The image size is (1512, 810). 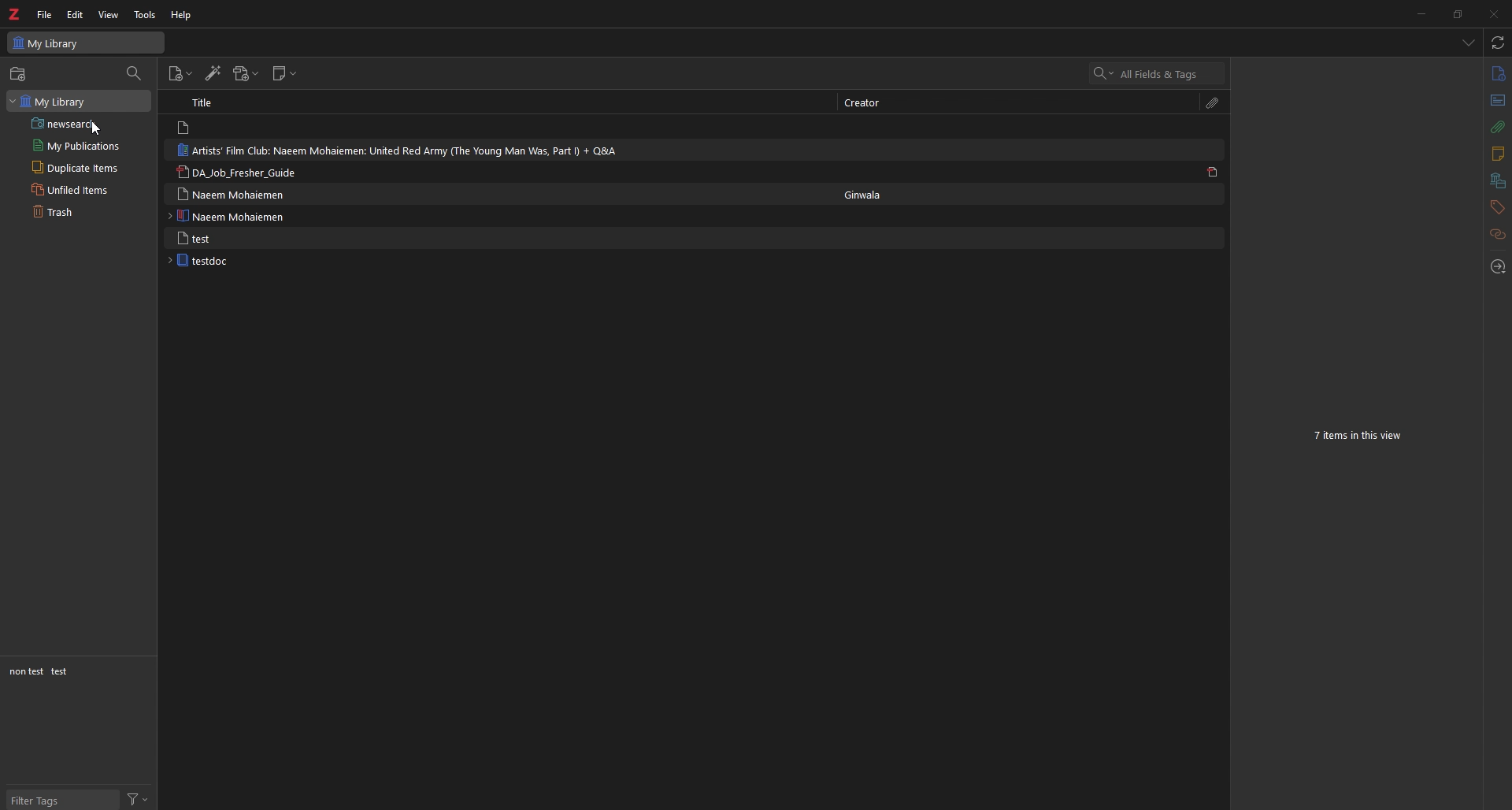 I want to click on mouse cursor, so click(x=98, y=129).